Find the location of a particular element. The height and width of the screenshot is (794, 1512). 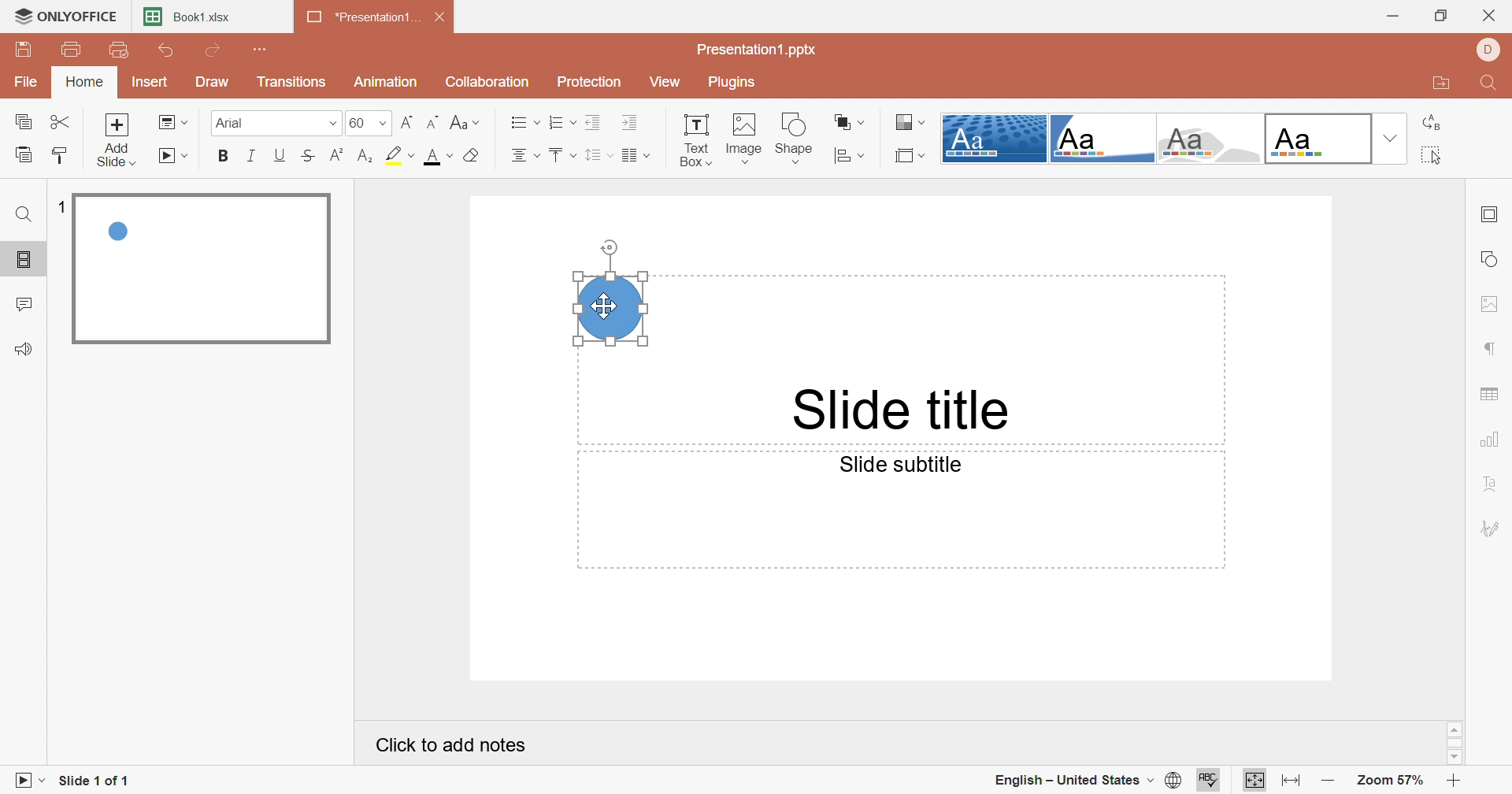

Image is located at coordinates (741, 139).